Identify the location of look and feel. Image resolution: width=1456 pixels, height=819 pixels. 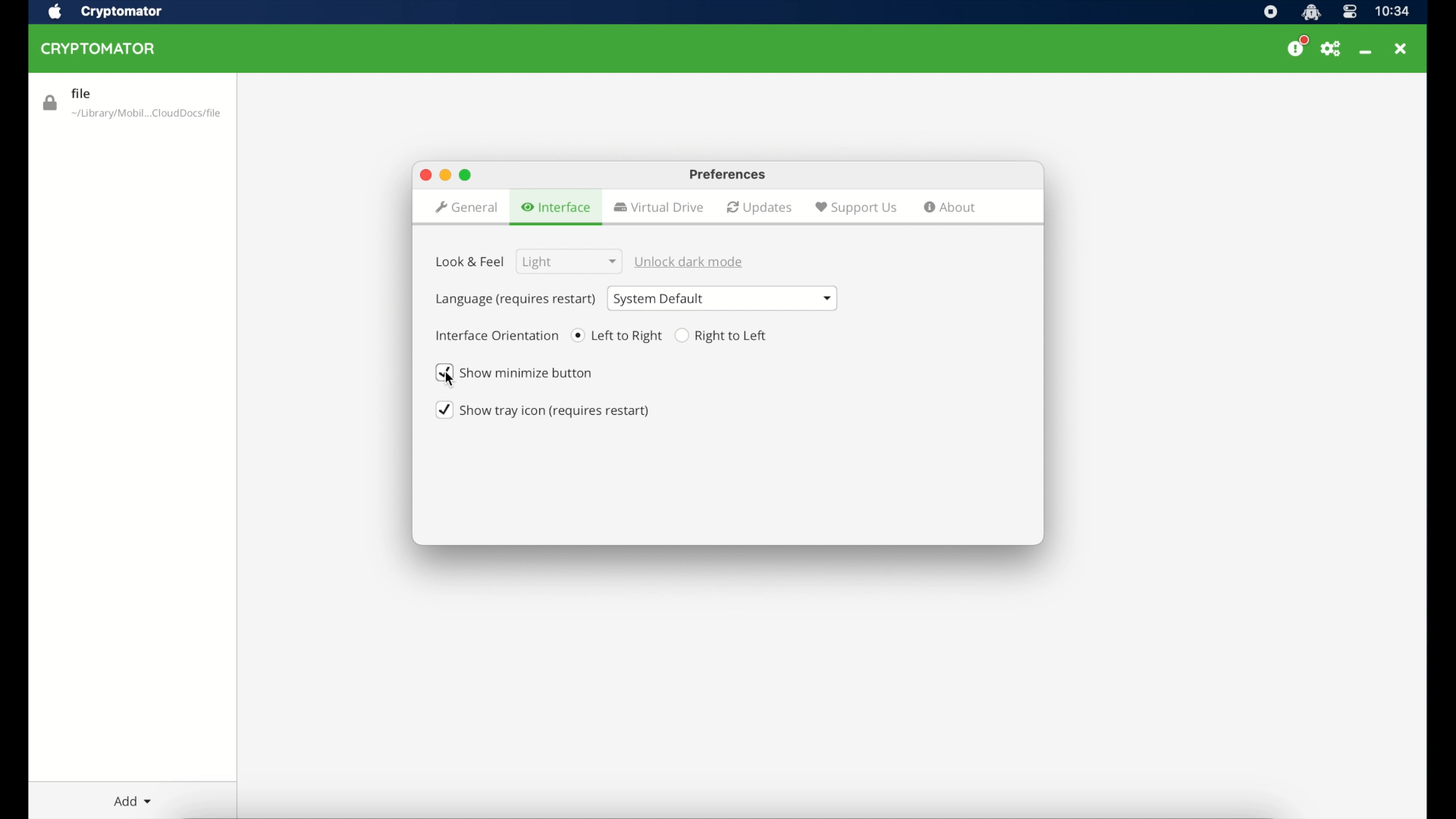
(470, 268).